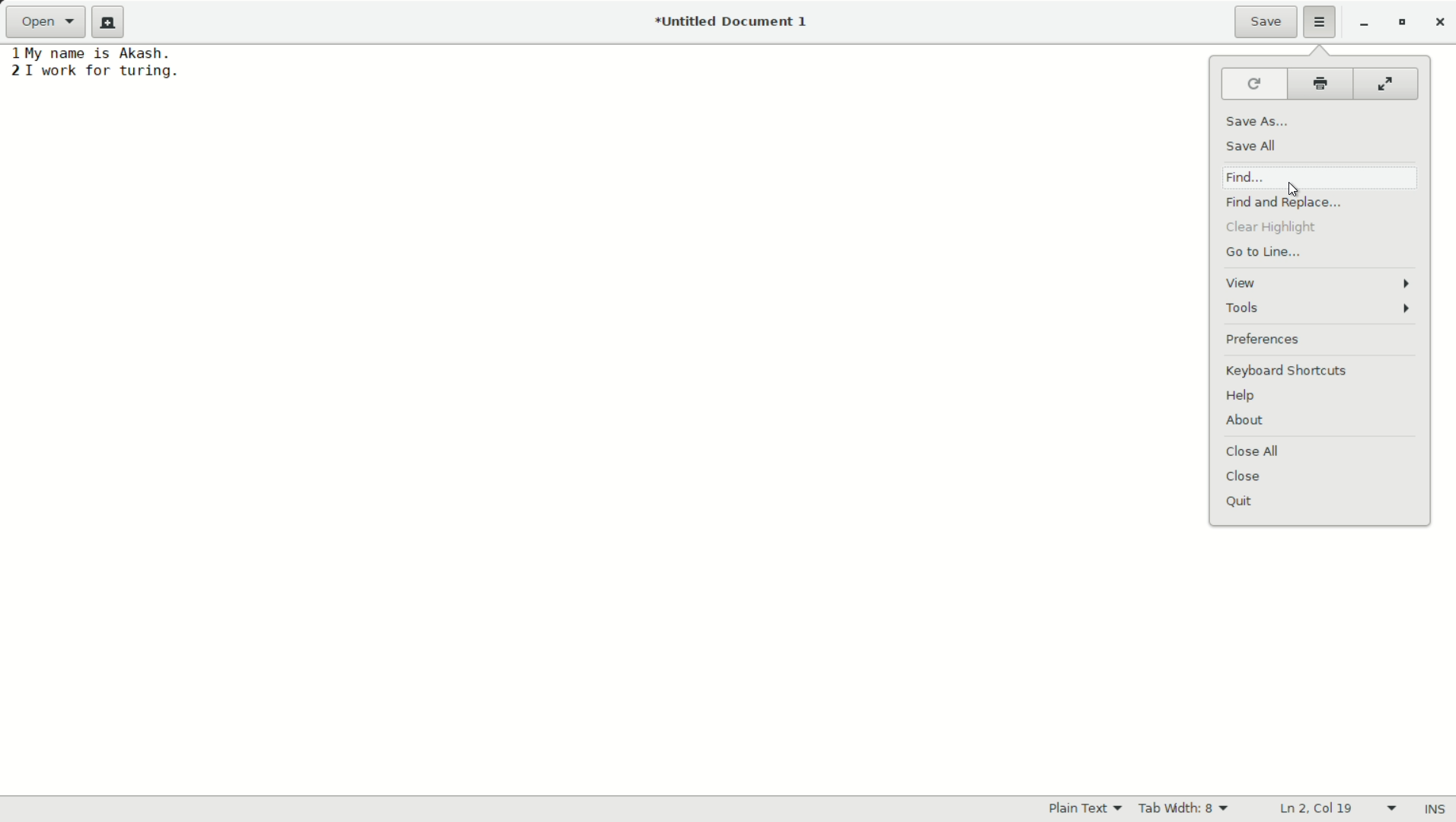 This screenshot has width=1456, height=822. I want to click on preferences, so click(1263, 340).